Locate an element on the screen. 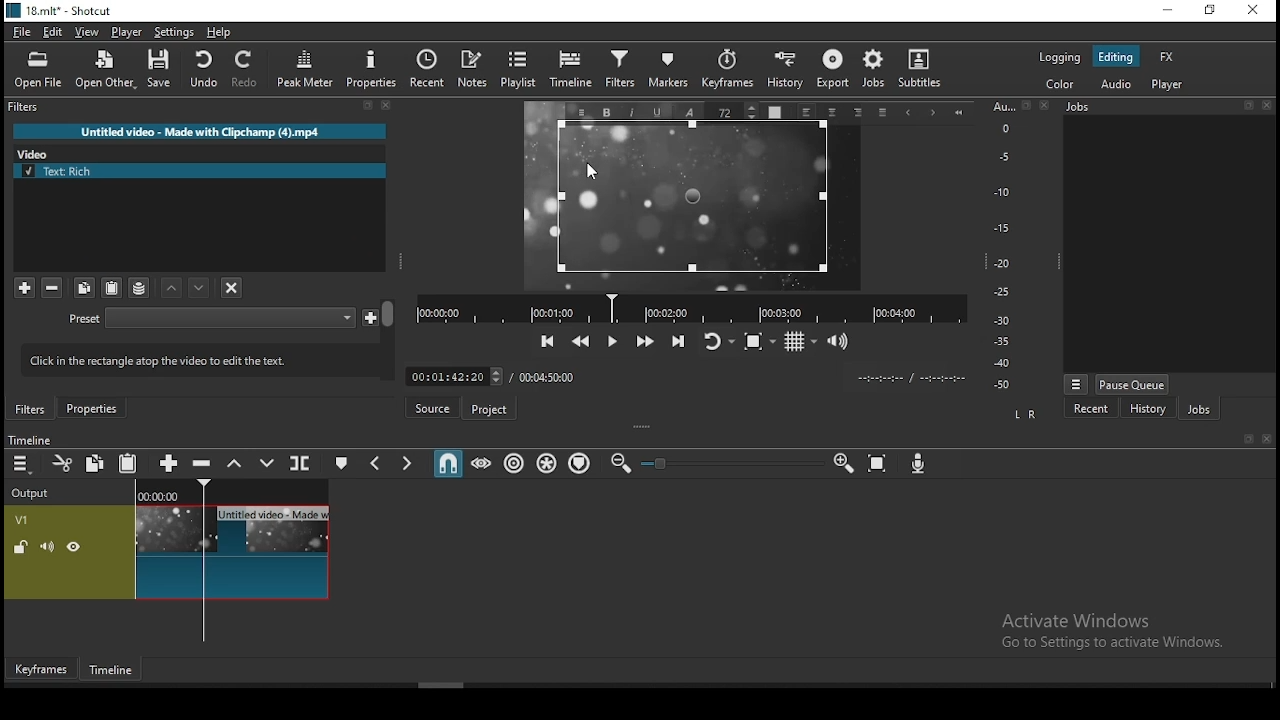  zoom timeline in is located at coordinates (842, 462).